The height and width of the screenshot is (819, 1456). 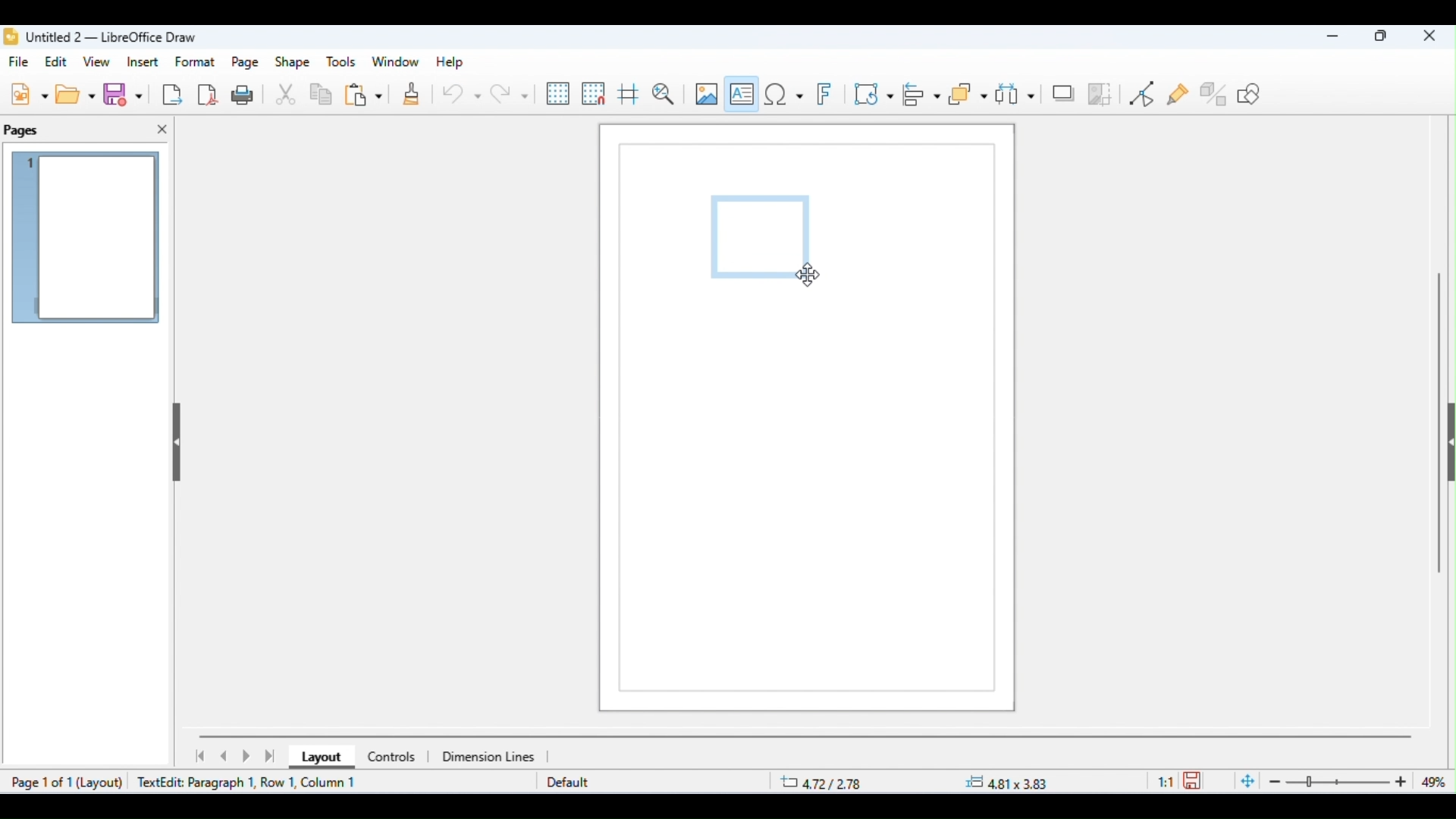 What do you see at coordinates (1145, 94) in the screenshot?
I see `toggle point edit mode` at bounding box center [1145, 94].